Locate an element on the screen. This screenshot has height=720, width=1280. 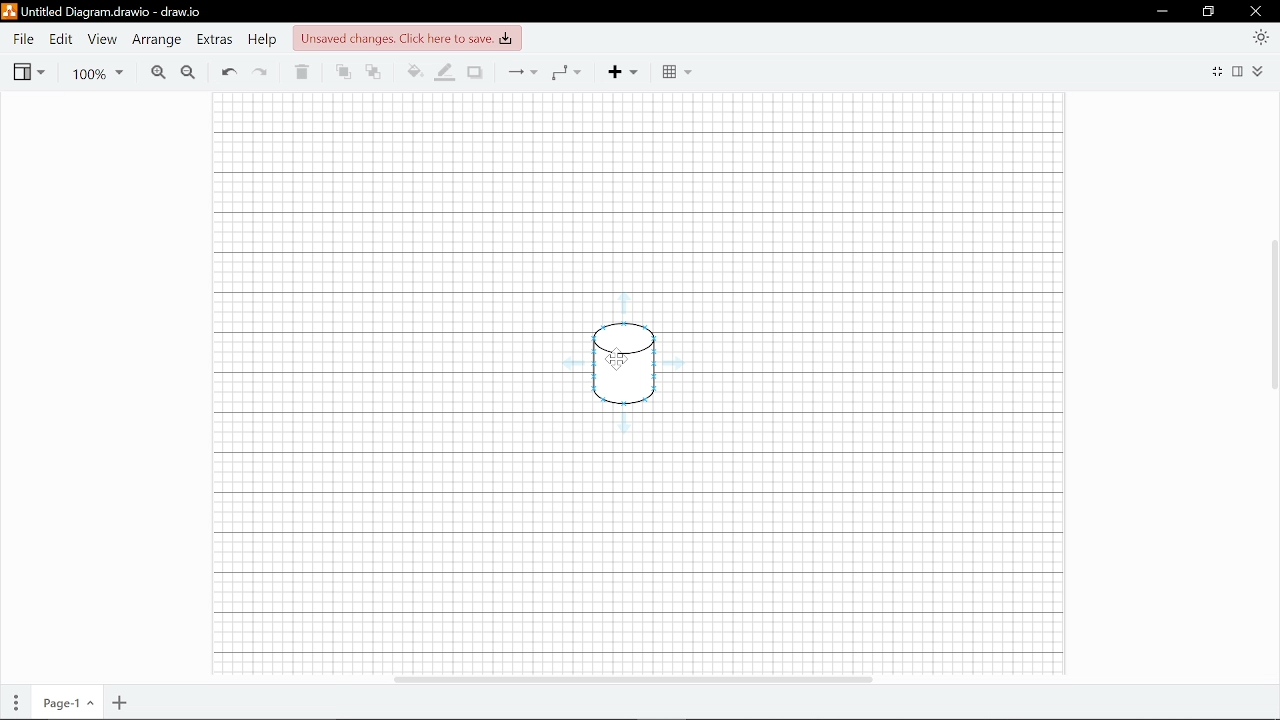
Format is located at coordinates (1238, 71).